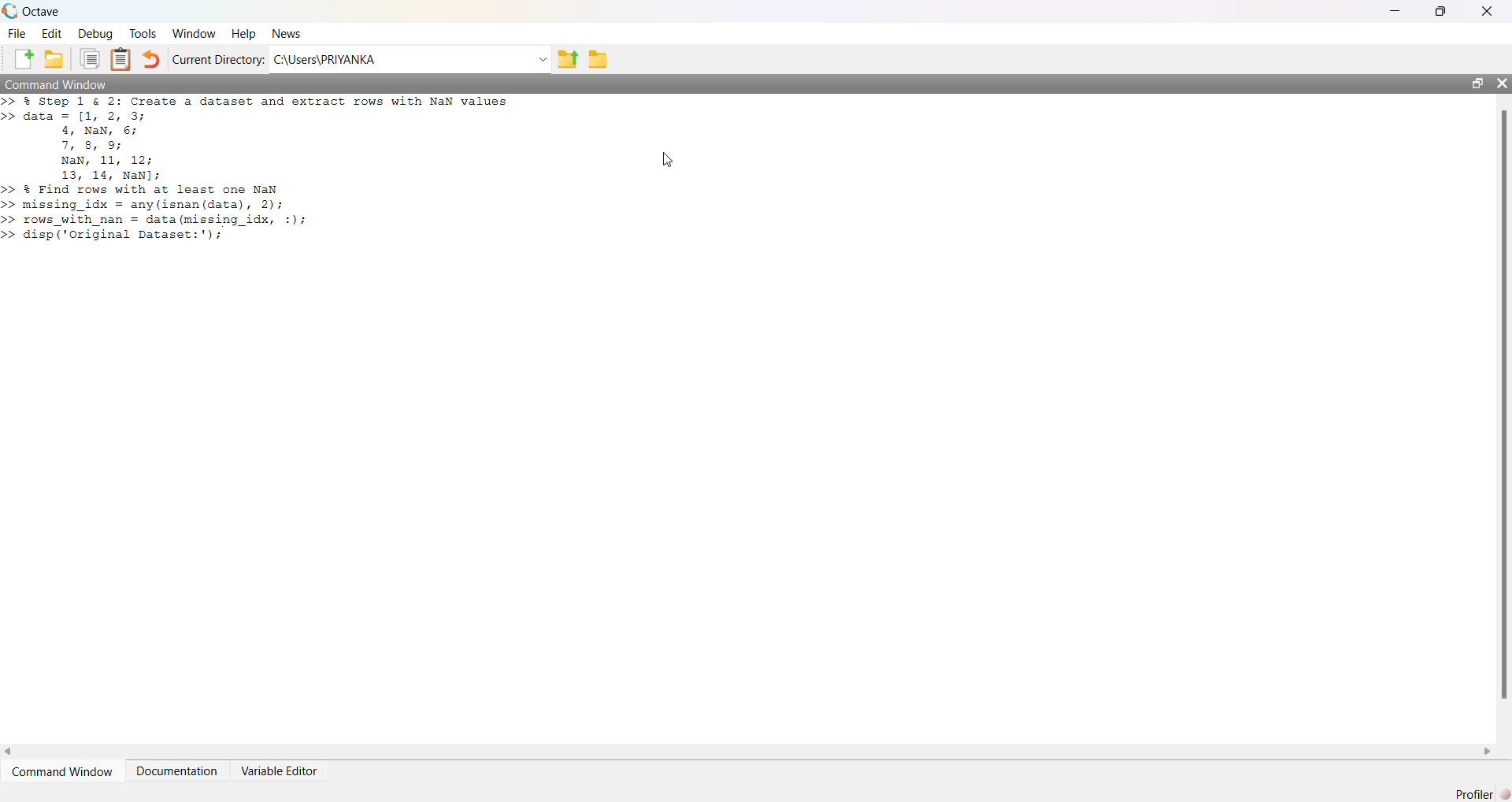 The height and width of the screenshot is (802, 1512). Describe the element at coordinates (41, 11) in the screenshot. I see `Octave` at that location.